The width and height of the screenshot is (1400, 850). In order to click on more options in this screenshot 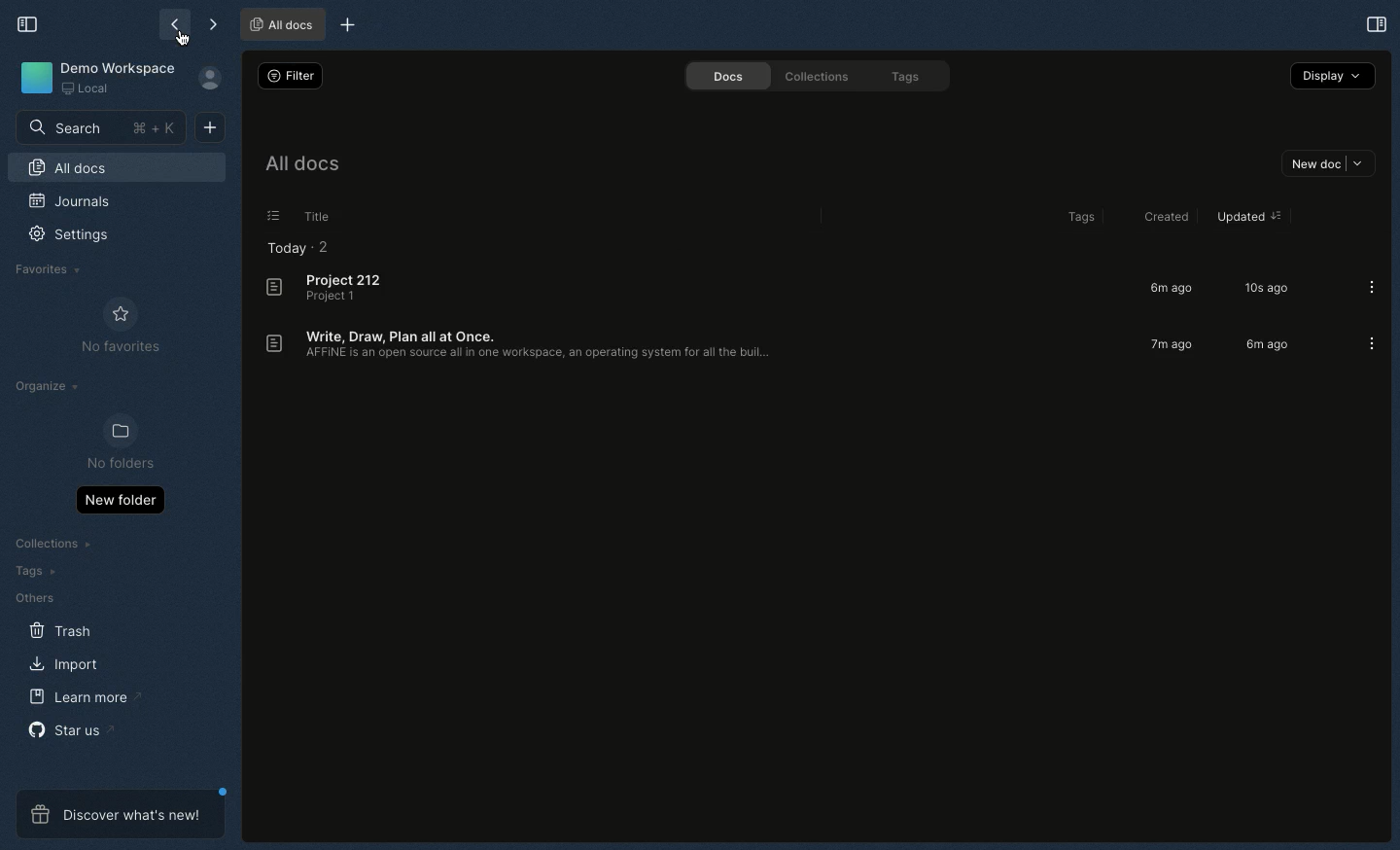, I will do `click(1368, 347)`.